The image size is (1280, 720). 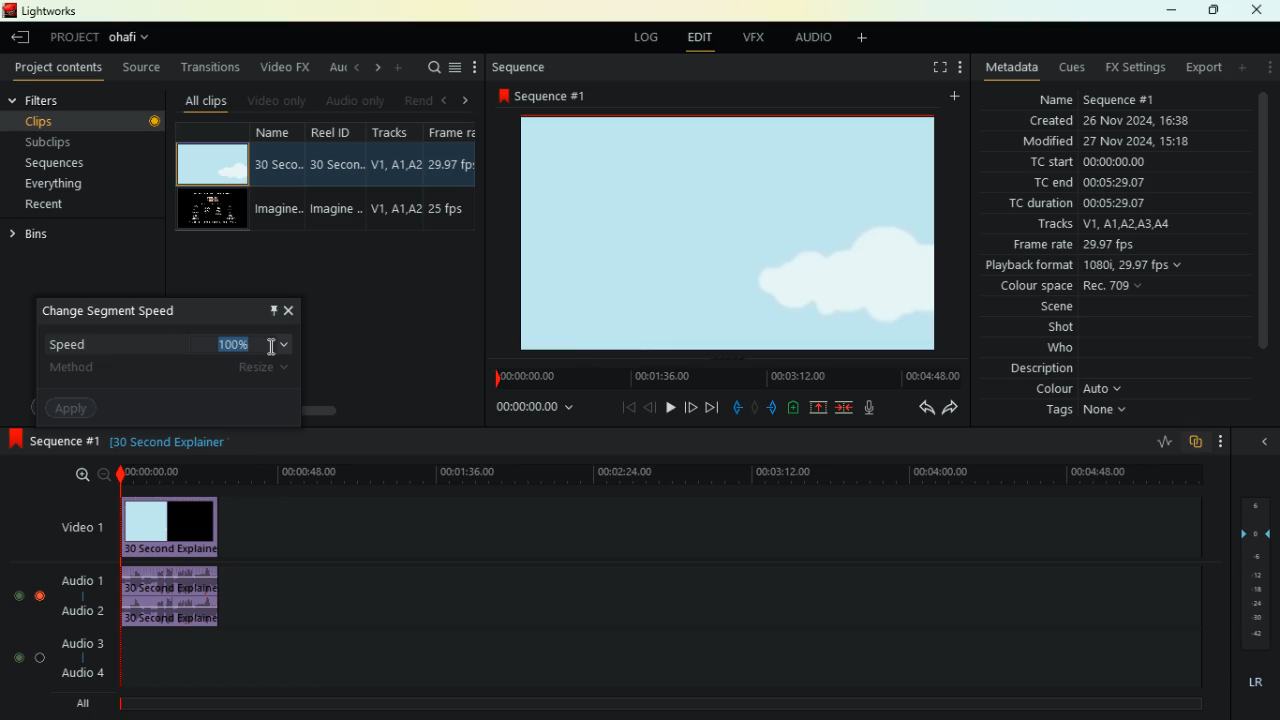 What do you see at coordinates (533, 68) in the screenshot?
I see `sequence` at bounding box center [533, 68].